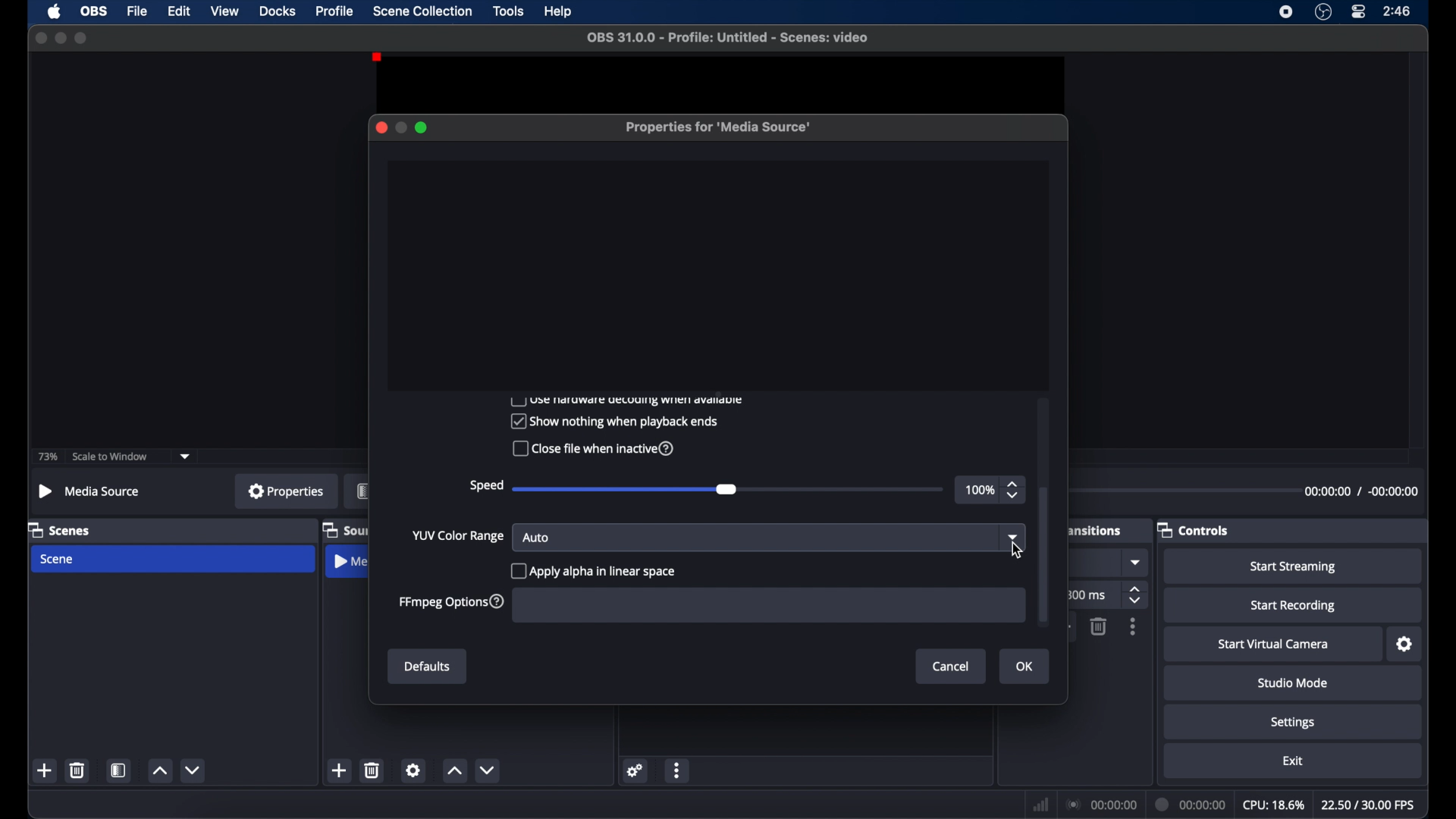  What do you see at coordinates (1137, 596) in the screenshot?
I see `stepper buttons` at bounding box center [1137, 596].